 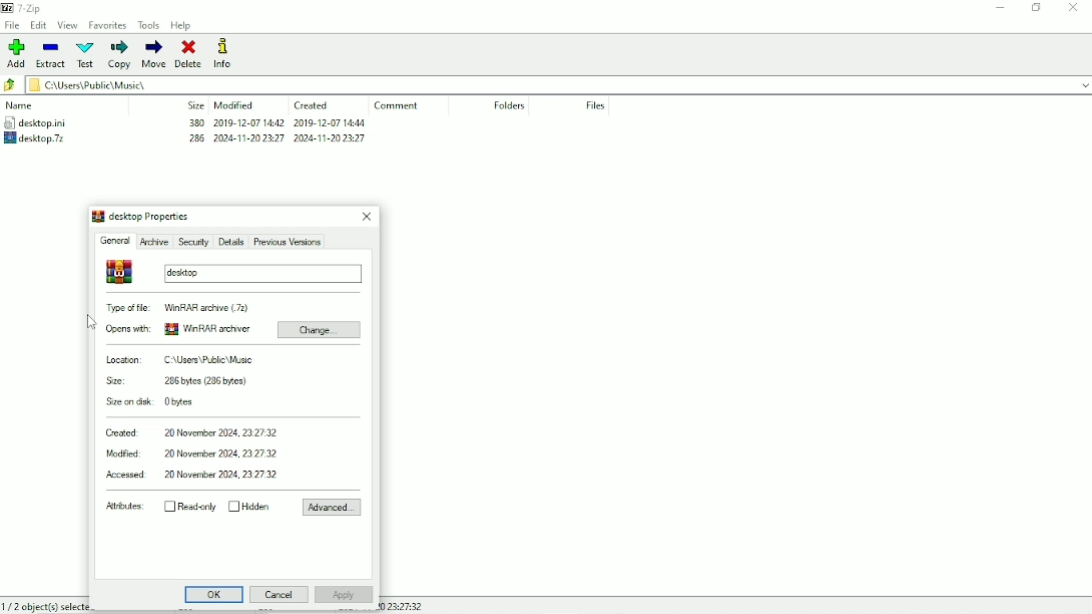 I want to click on Add, so click(x=17, y=53).